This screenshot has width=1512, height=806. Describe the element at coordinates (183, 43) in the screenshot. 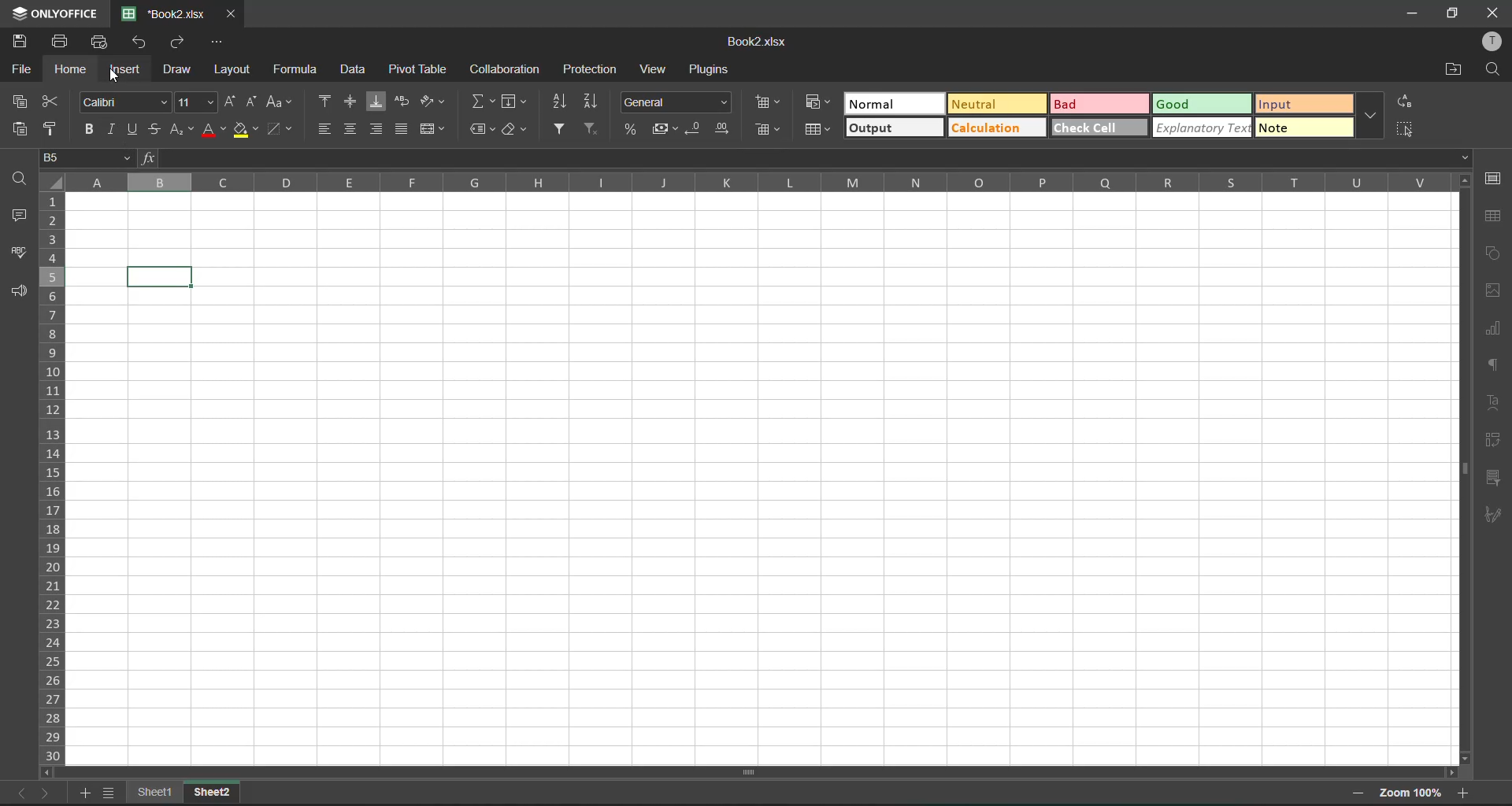

I see `redo` at that location.